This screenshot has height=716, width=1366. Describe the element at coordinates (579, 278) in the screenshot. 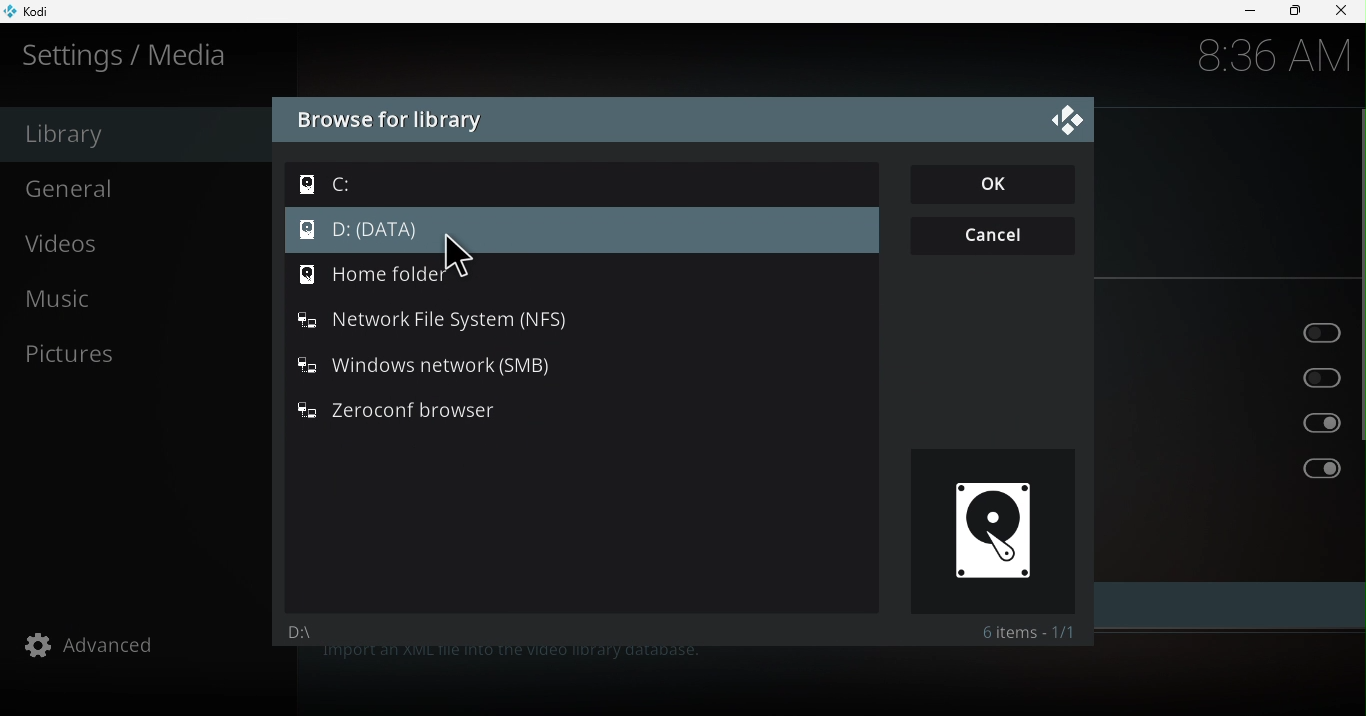

I see `Home folder` at that location.